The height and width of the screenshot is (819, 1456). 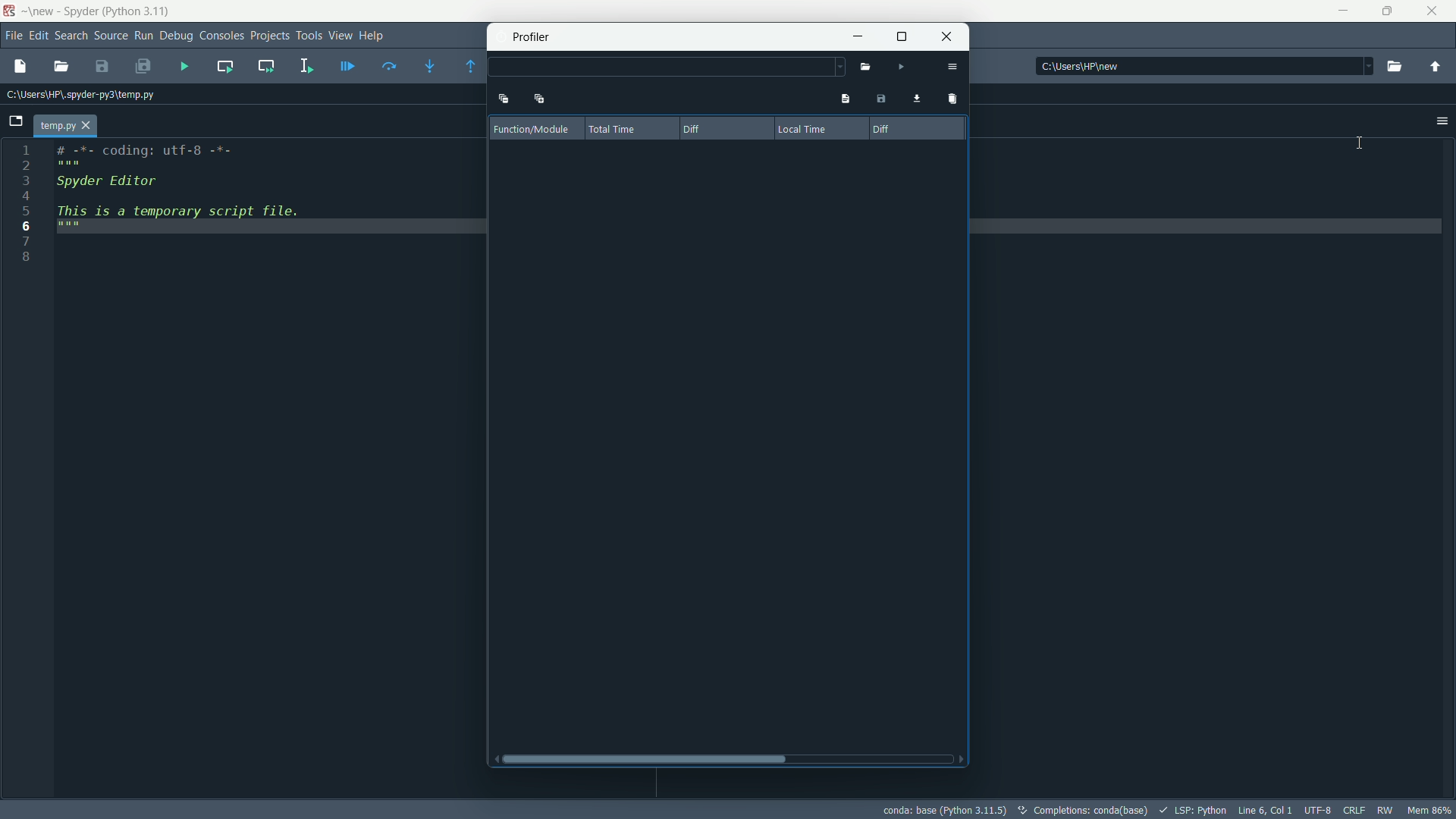 I want to click on debug menu, so click(x=175, y=36).